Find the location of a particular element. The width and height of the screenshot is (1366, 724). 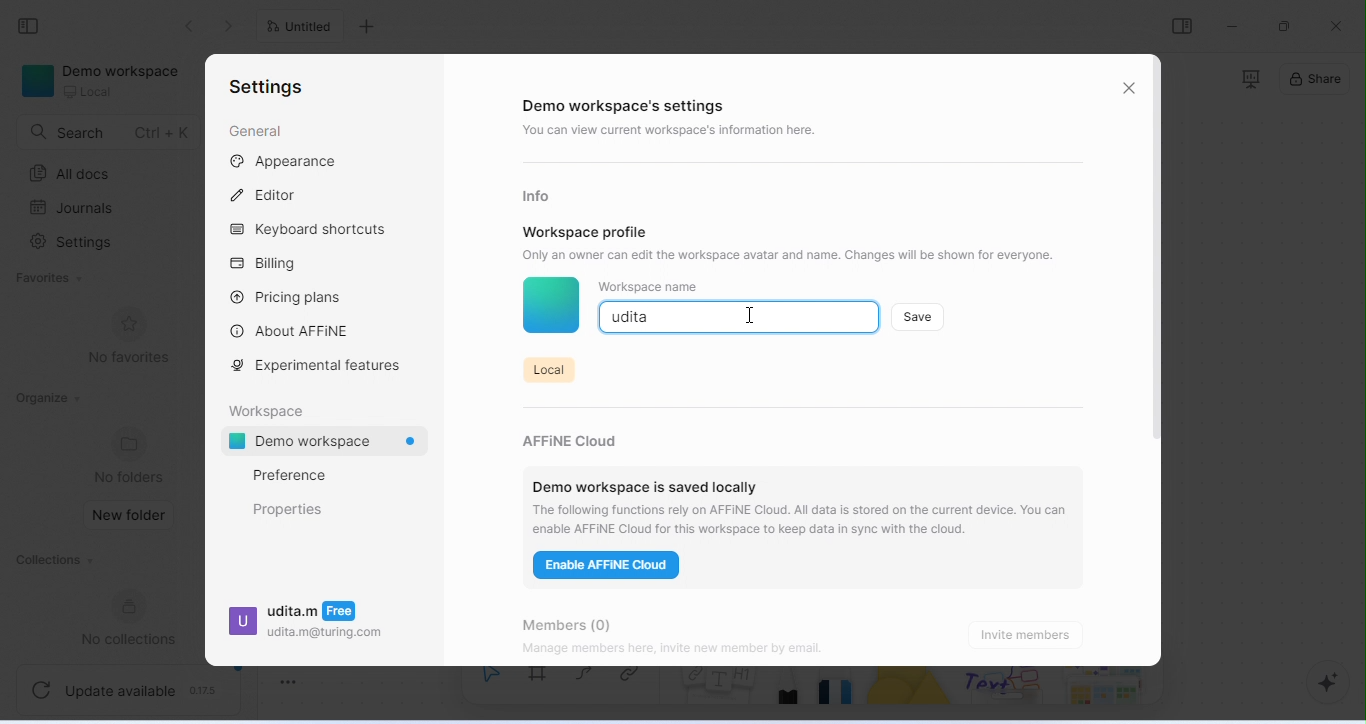

pencil is located at coordinates (790, 693).